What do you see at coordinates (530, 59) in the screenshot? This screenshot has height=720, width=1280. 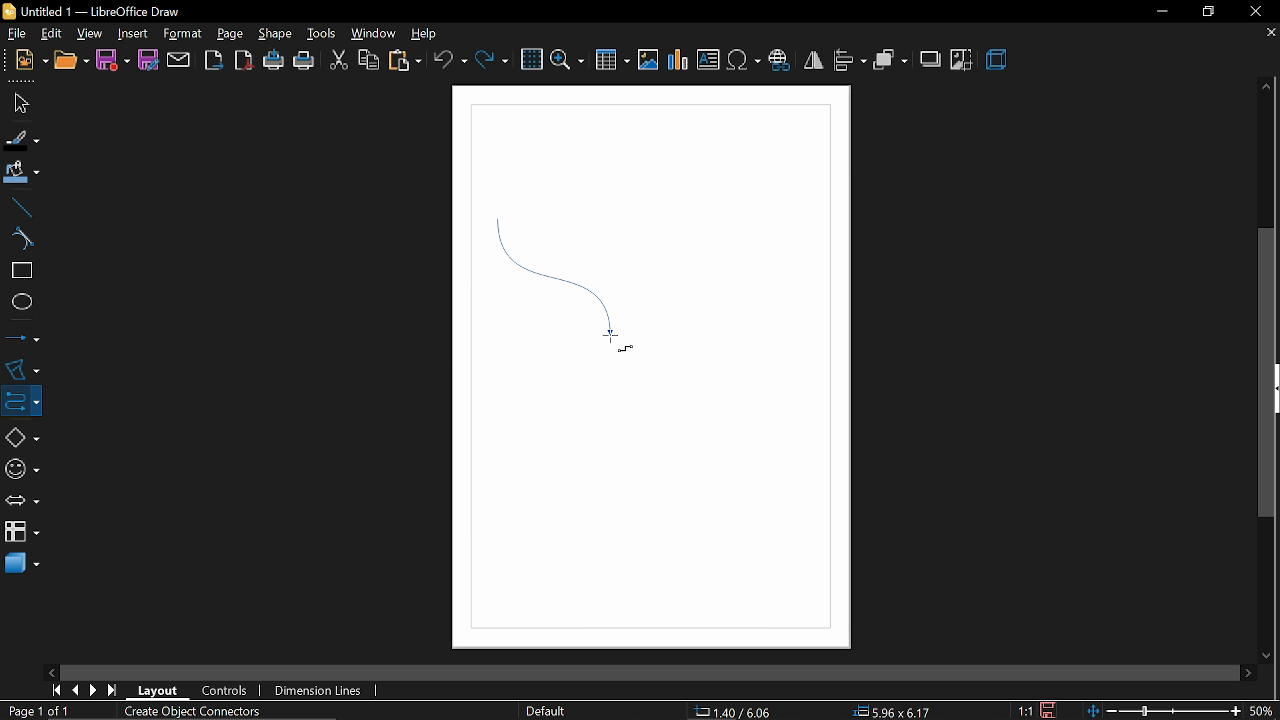 I see `grid` at bounding box center [530, 59].